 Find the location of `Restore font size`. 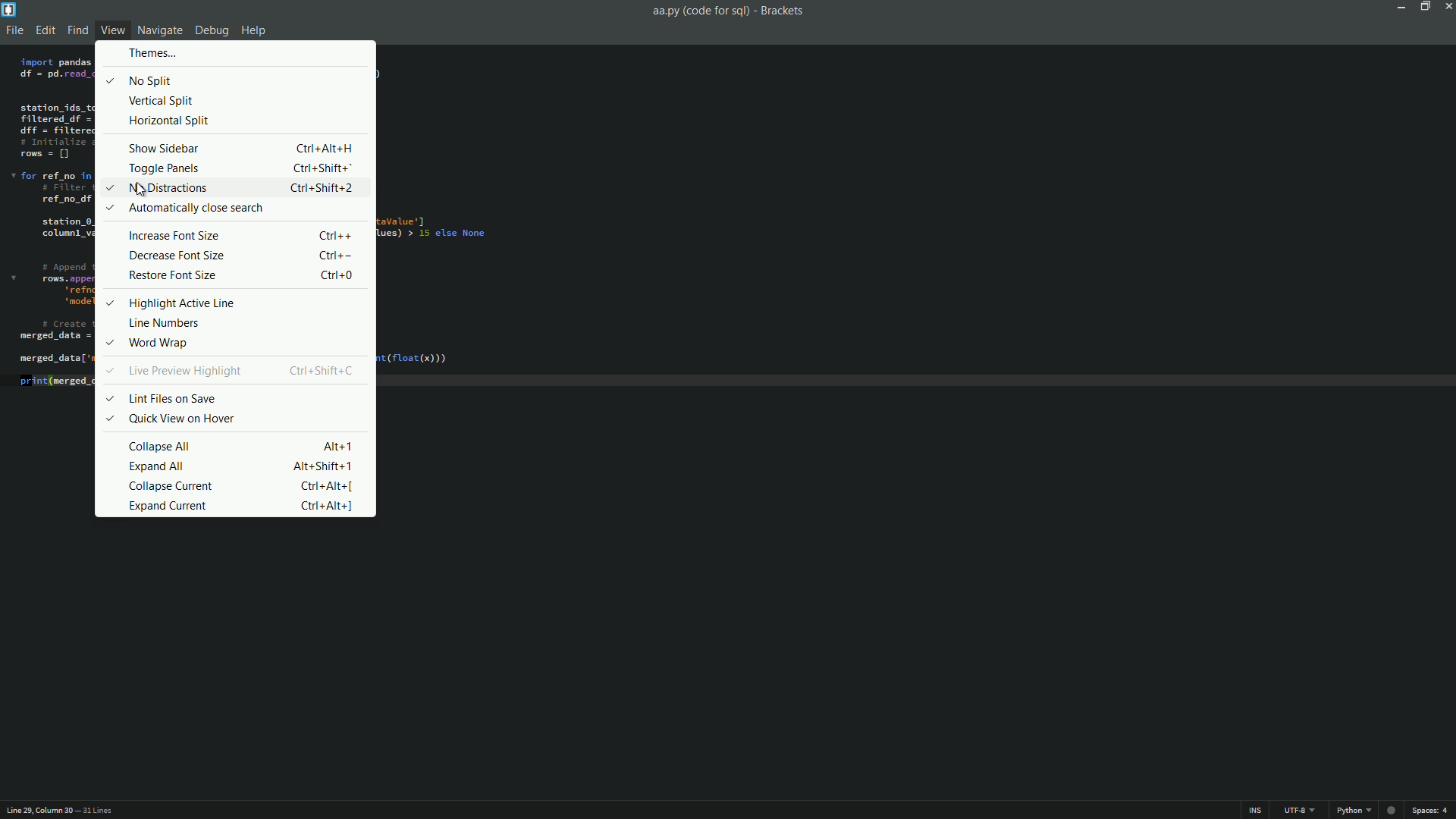

Restore font size is located at coordinates (245, 277).